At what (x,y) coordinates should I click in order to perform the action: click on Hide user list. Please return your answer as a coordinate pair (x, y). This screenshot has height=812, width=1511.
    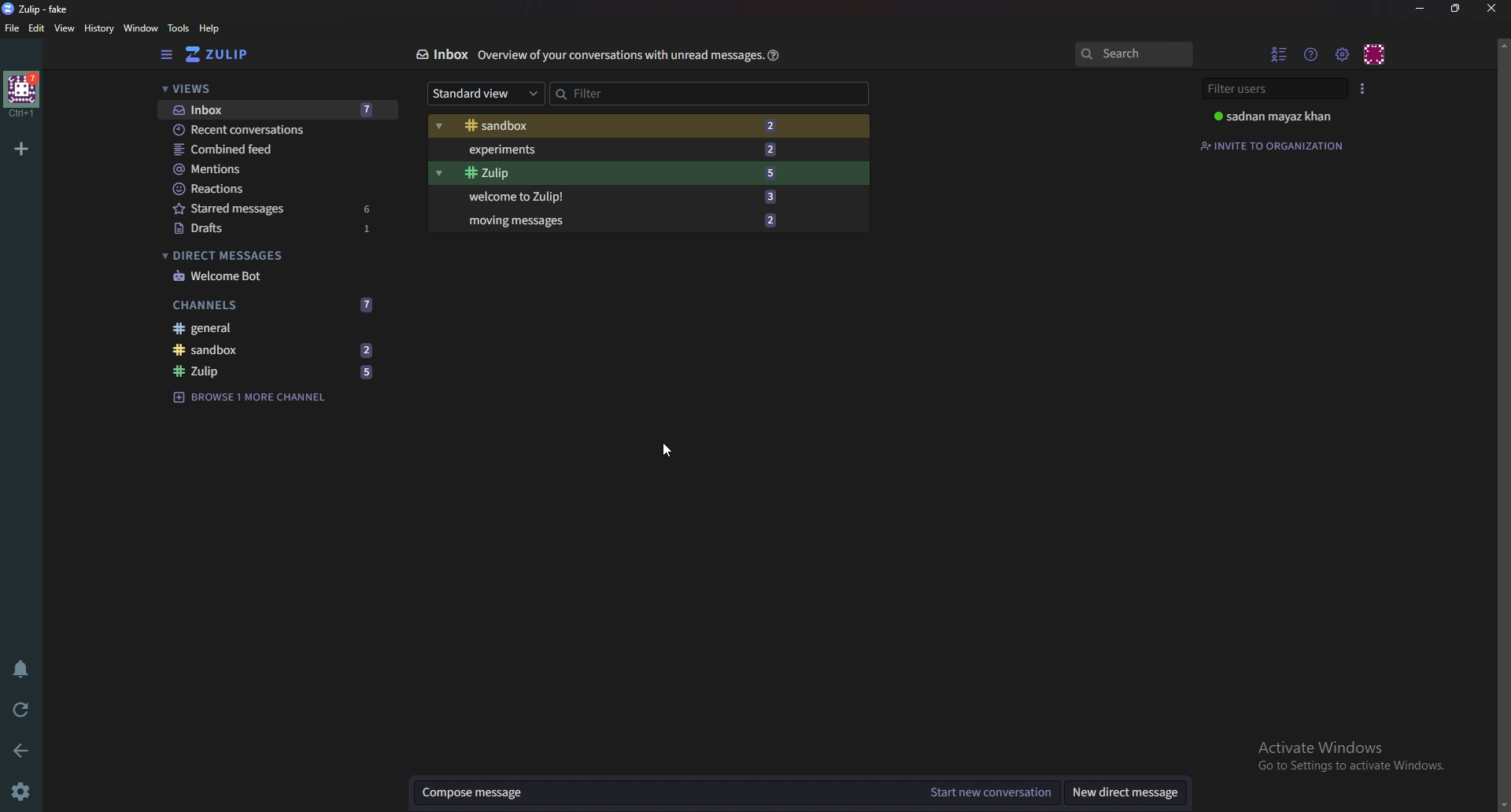
    Looking at the image, I should click on (1280, 53).